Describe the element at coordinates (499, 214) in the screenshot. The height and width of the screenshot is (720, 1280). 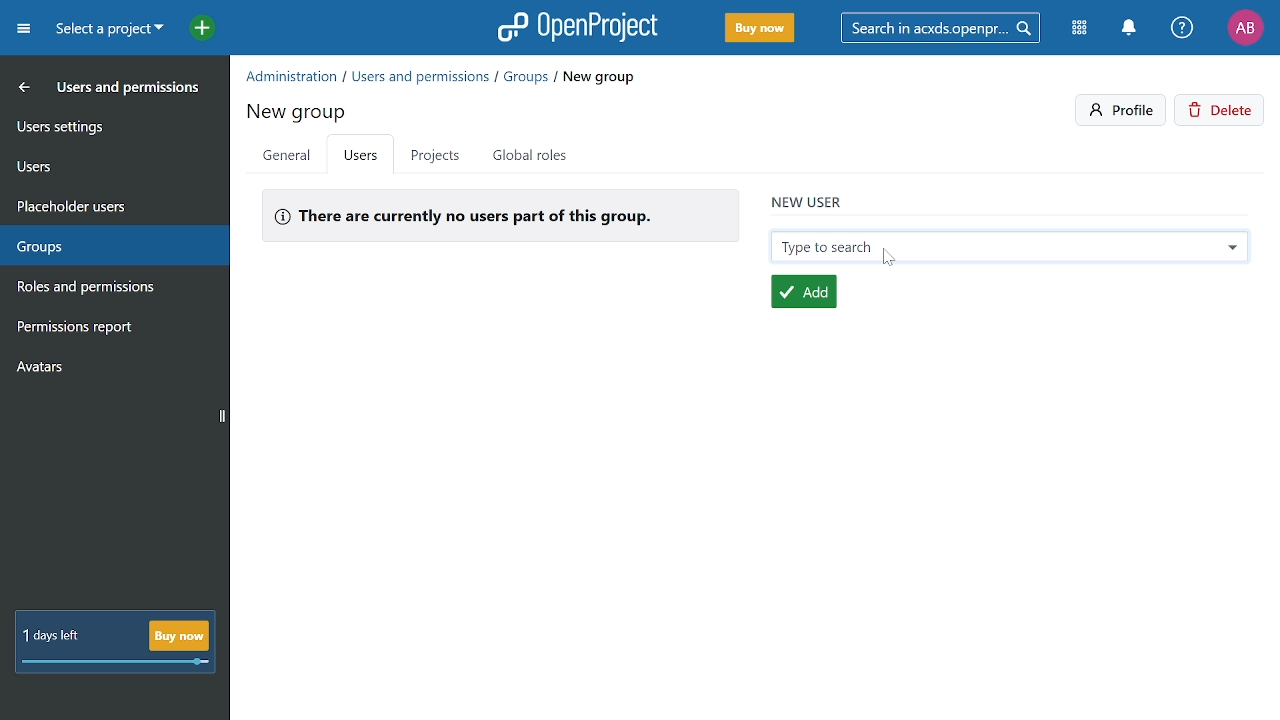
I see `No users in the group` at that location.